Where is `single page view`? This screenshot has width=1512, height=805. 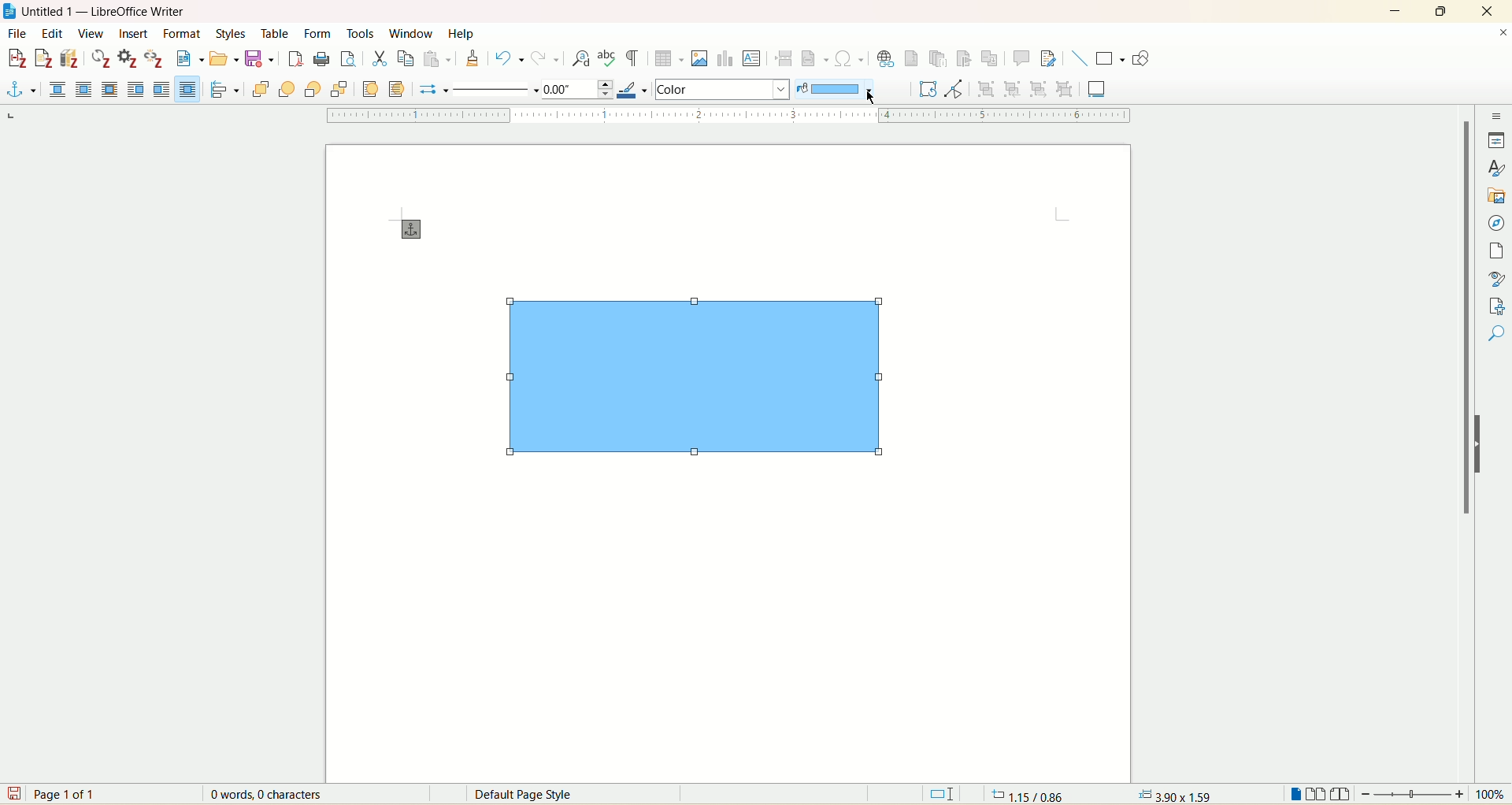
single page view is located at coordinates (1294, 794).